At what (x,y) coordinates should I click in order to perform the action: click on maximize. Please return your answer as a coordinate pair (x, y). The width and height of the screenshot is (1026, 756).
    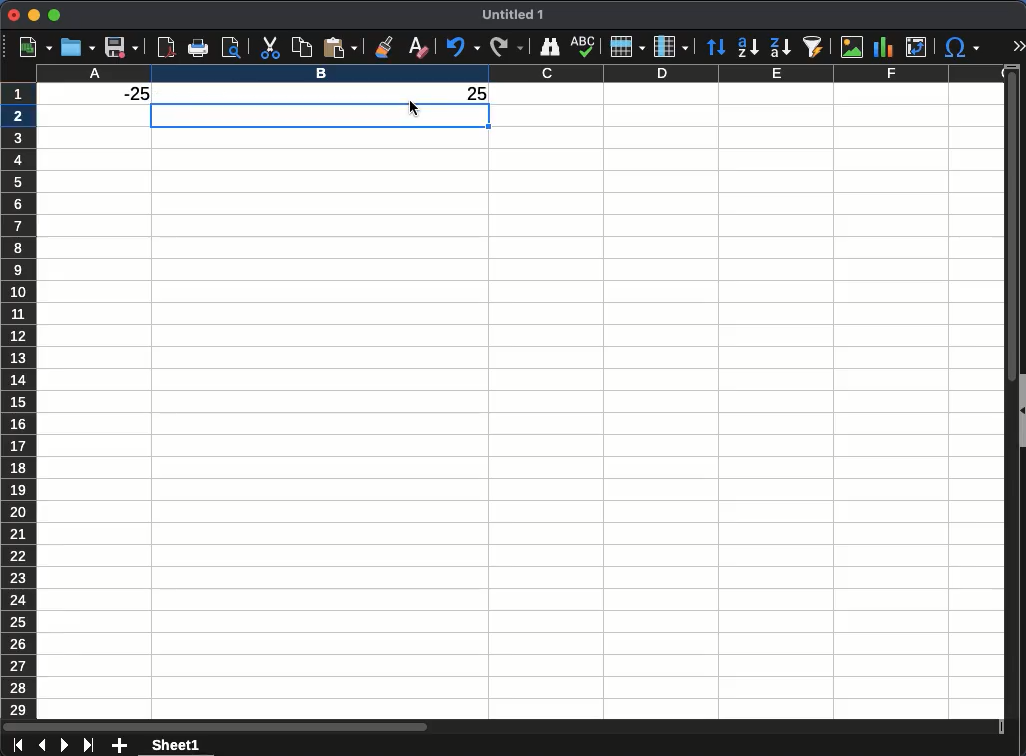
    Looking at the image, I should click on (55, 15).